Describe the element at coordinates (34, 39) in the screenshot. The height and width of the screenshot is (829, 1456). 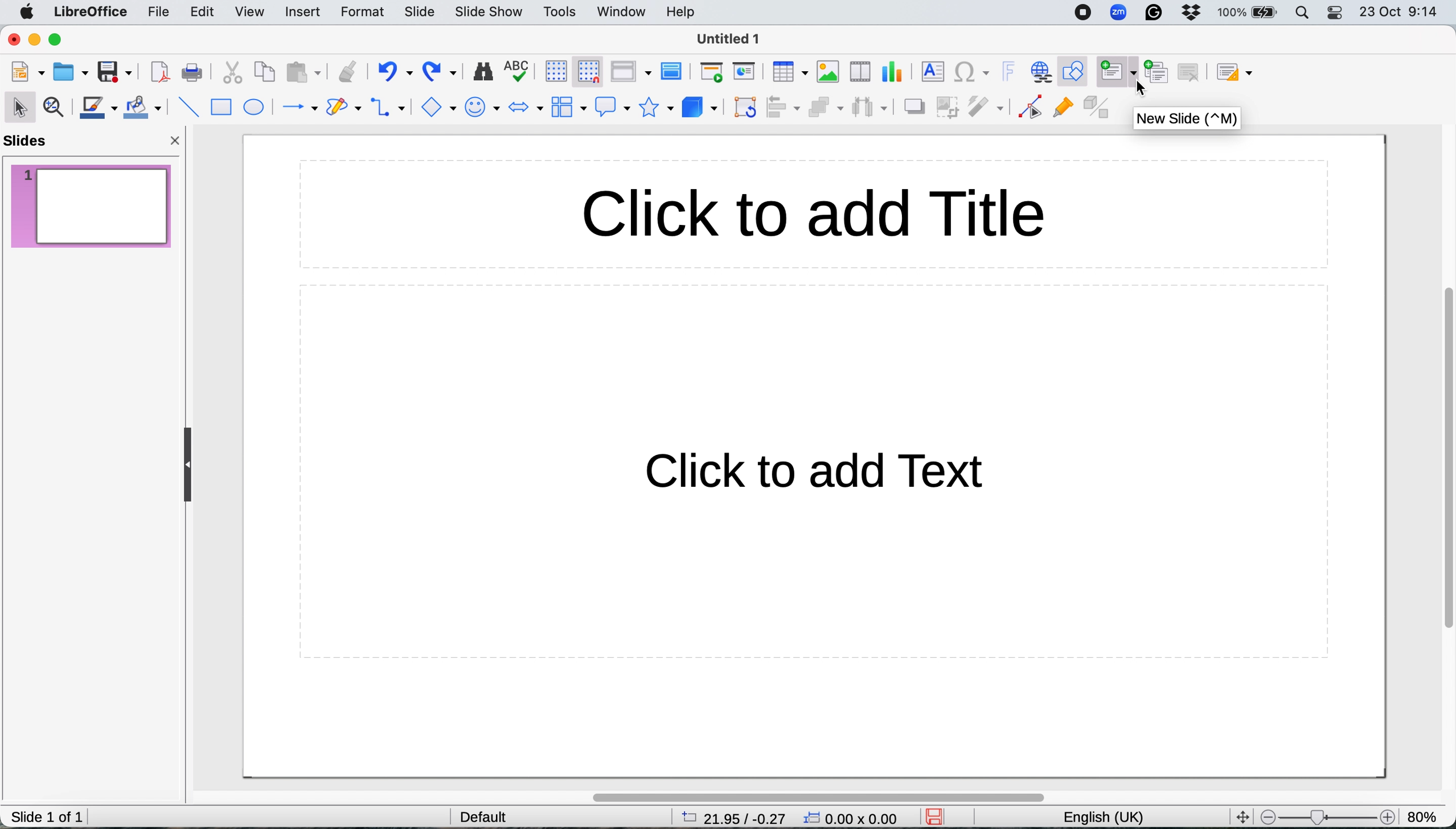
I see `minimise` at that location.